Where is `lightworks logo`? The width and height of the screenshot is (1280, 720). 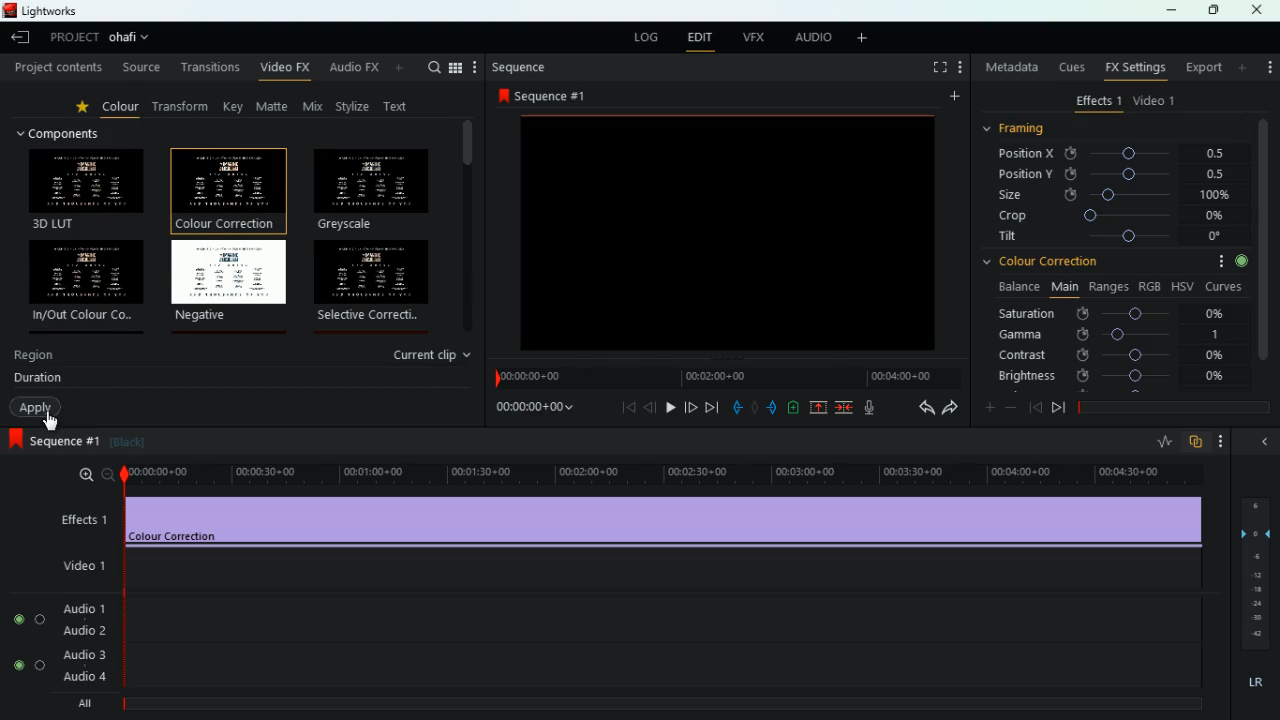
lightworks logo is located at coordinates (8, 10).